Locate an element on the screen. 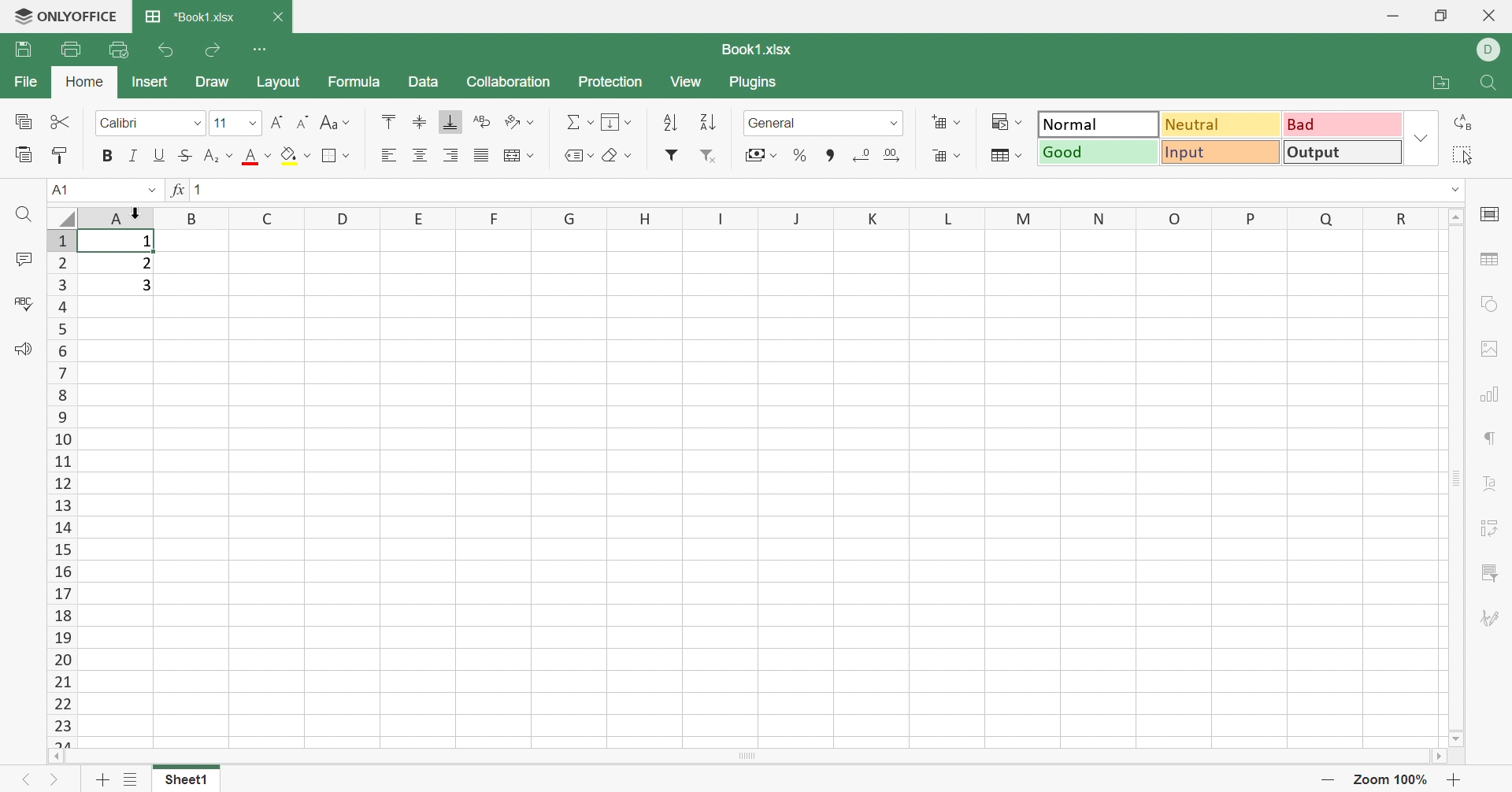  View is located at coordinates (686, 82).